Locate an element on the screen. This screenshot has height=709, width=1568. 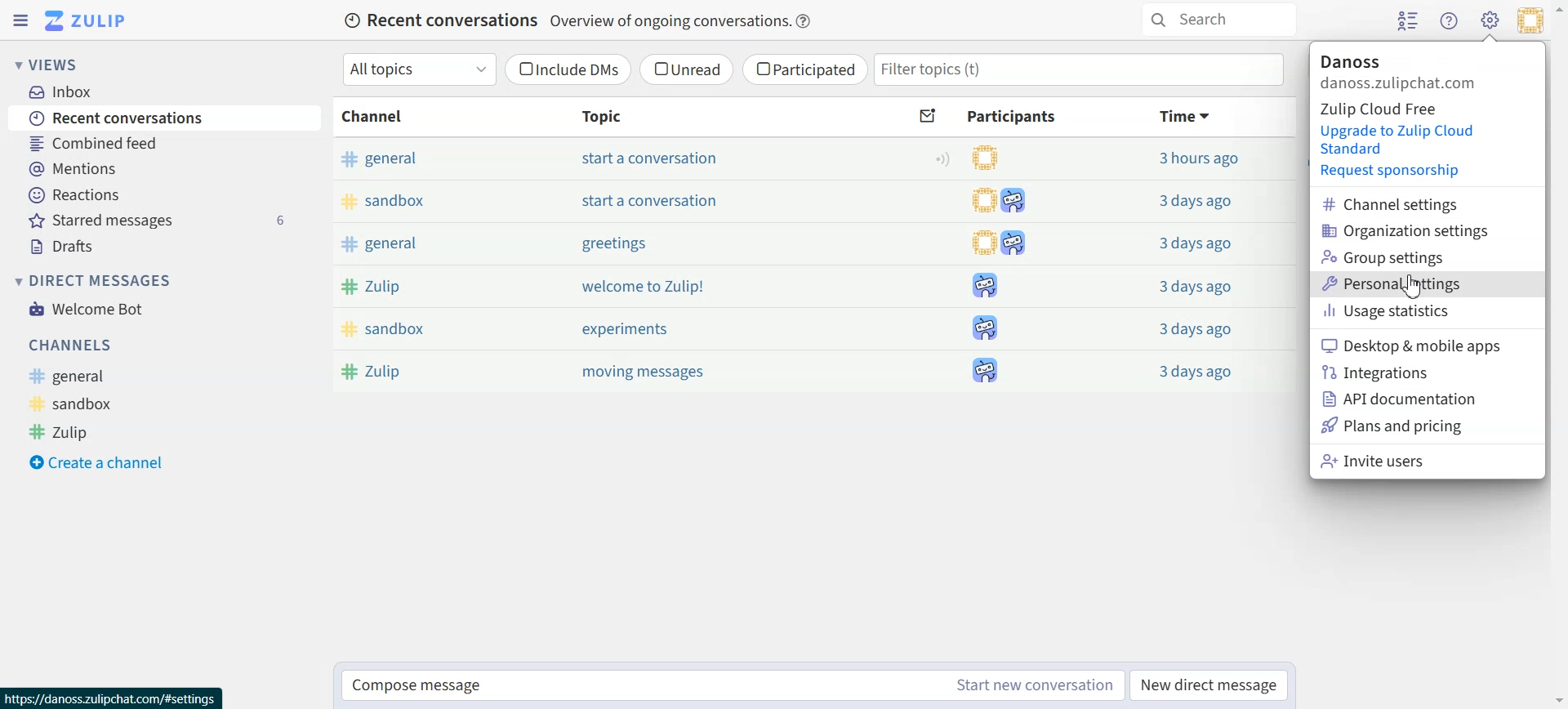
Reactions is located at coordinates (78, 195).